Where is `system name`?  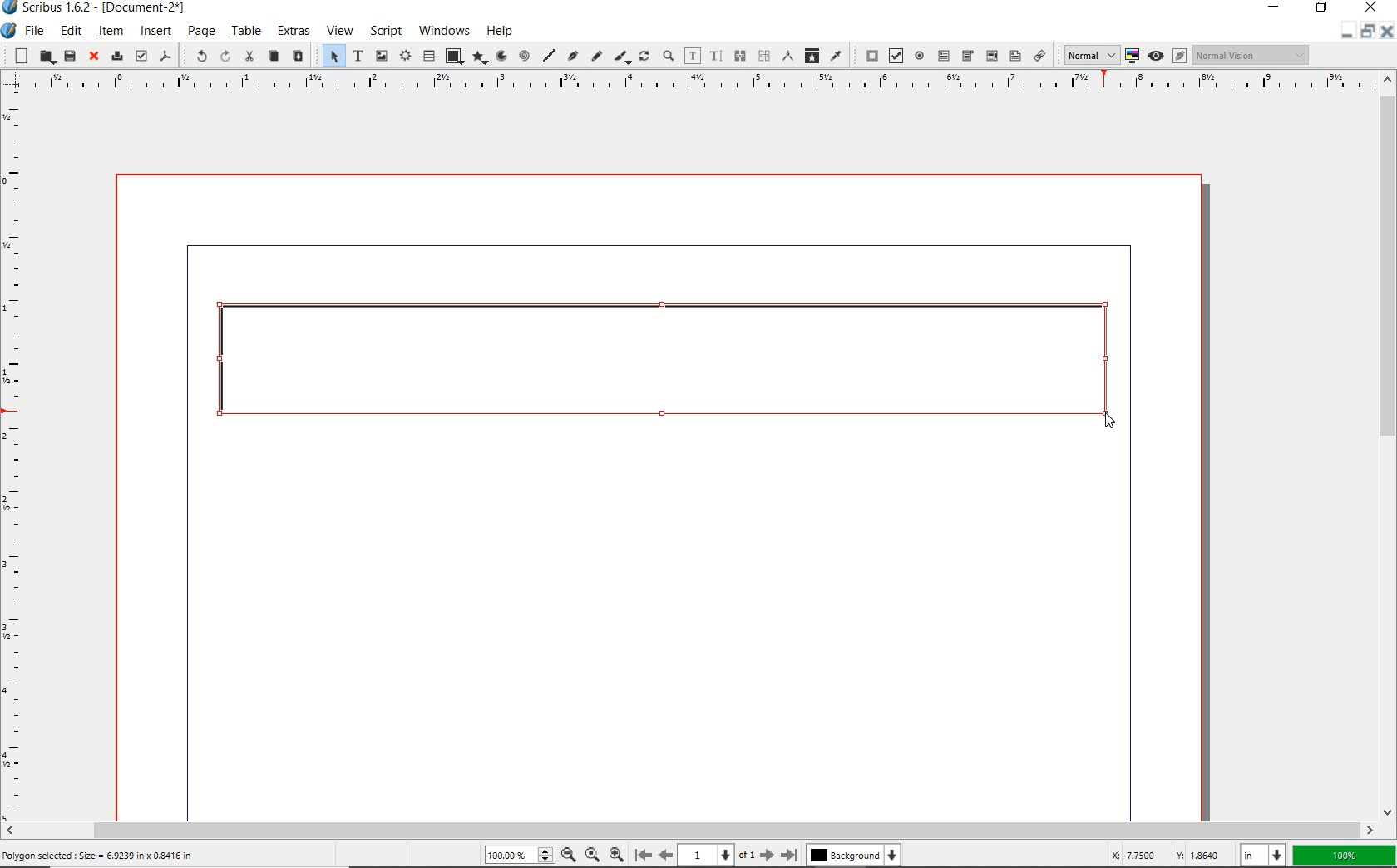
system name is located at coordinates (96, 7).